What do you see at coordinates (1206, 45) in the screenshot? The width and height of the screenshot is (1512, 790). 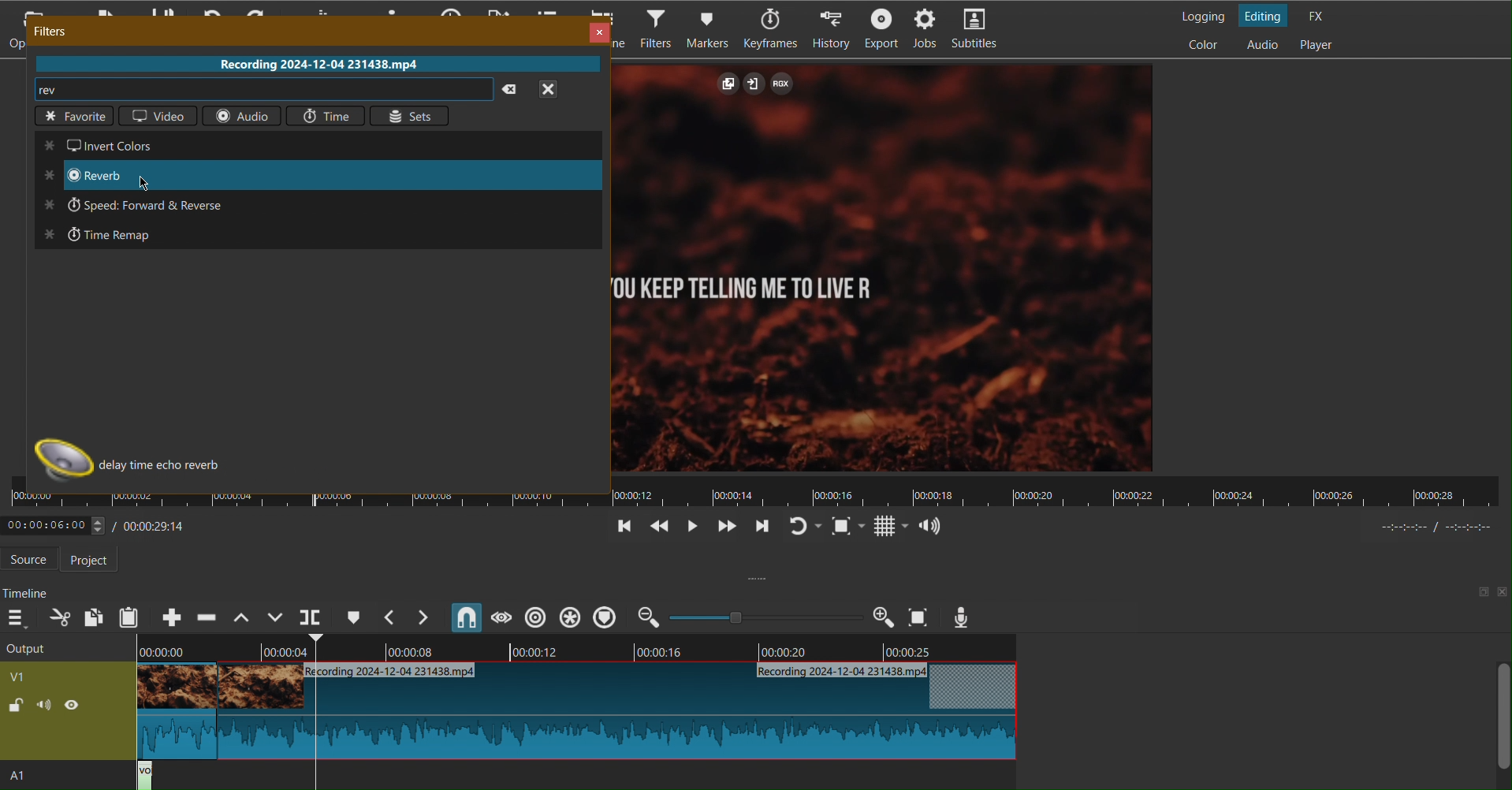 I see `Color` at bounding box center [1206, 45].